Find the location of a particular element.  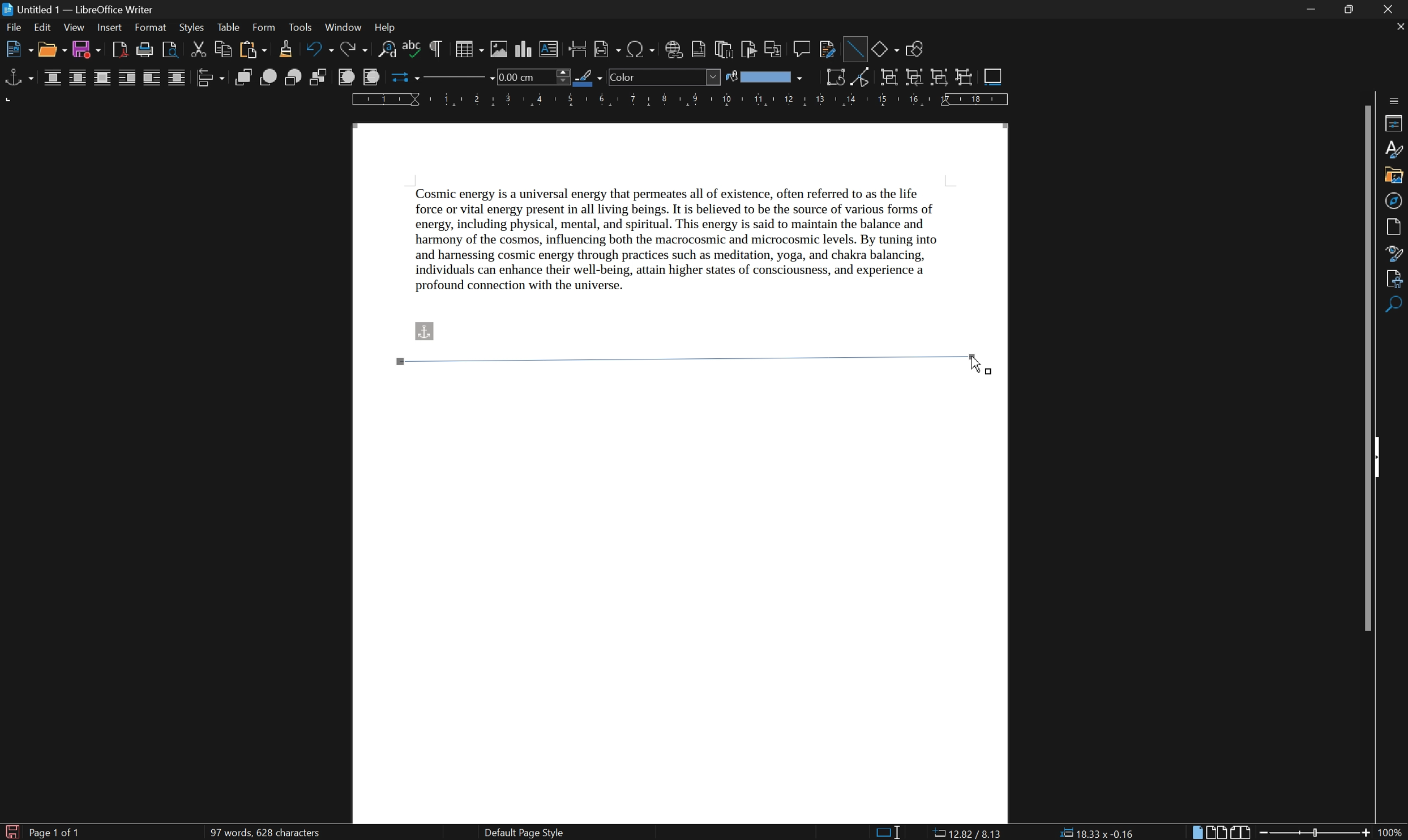

accessibility check is located at coordinates (1396, 306).